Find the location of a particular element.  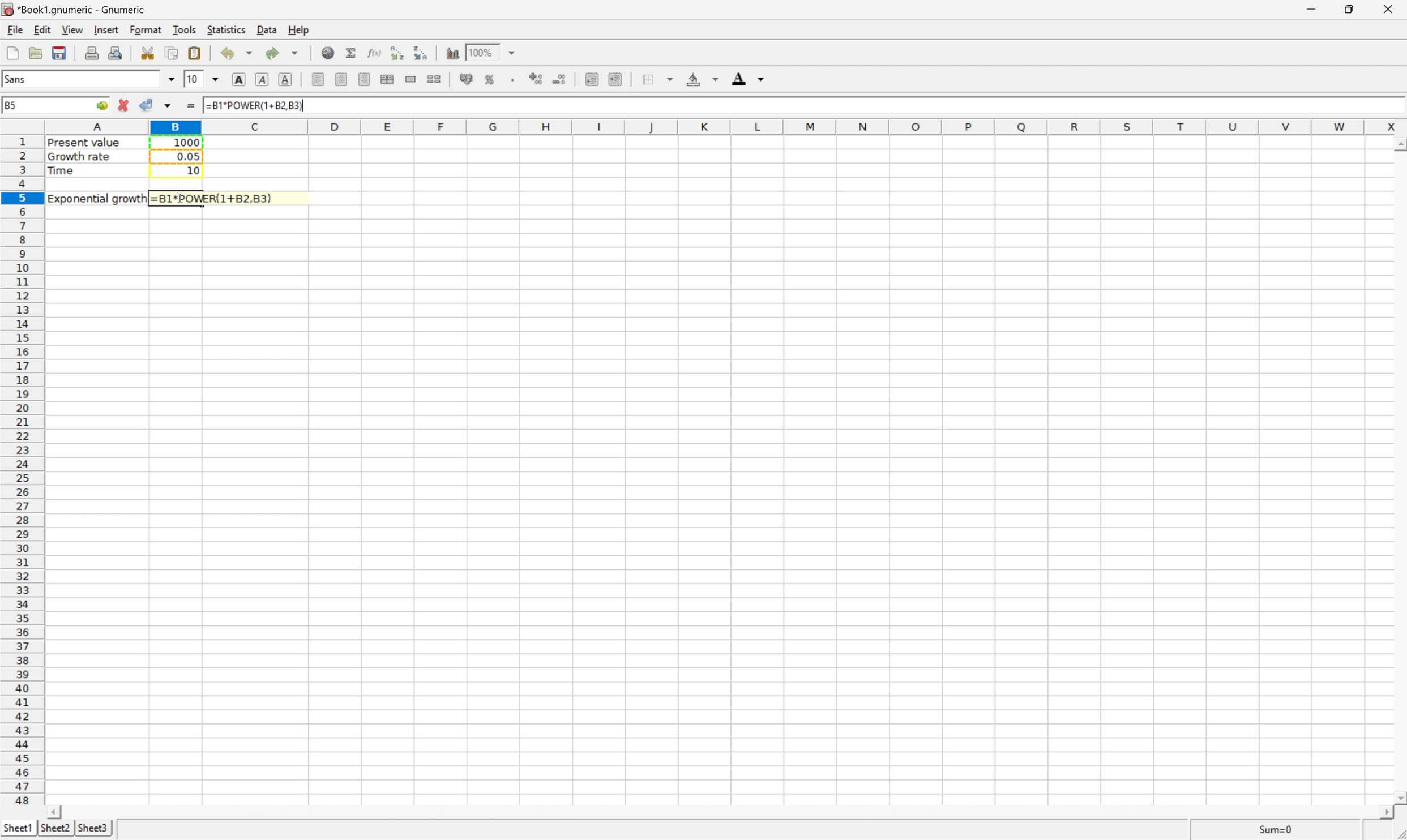

Set the format of the selected cells to include a thousands separator is located at coordinates (514, 80).